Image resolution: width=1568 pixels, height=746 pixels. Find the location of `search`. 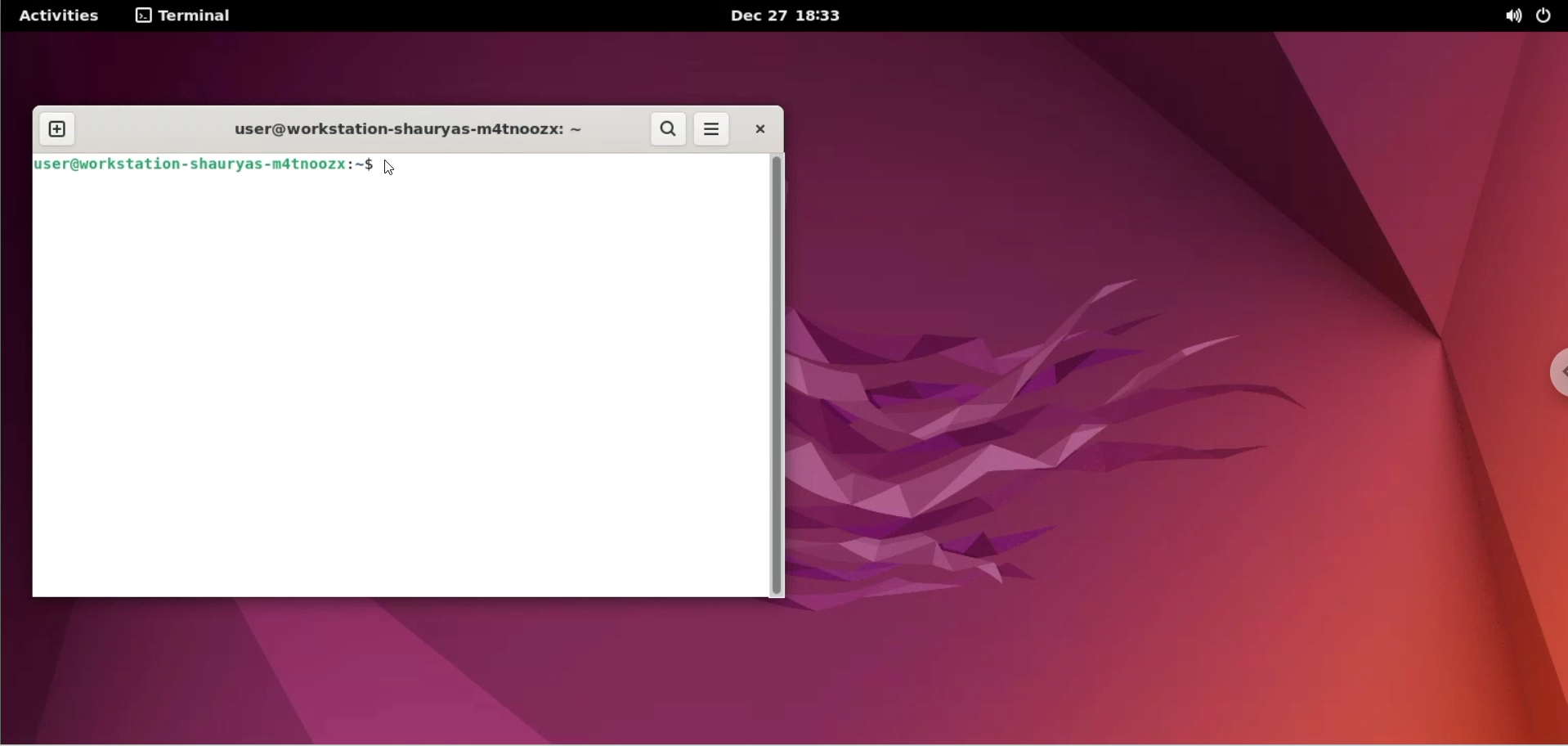

search is located at coordinates (670, 131).